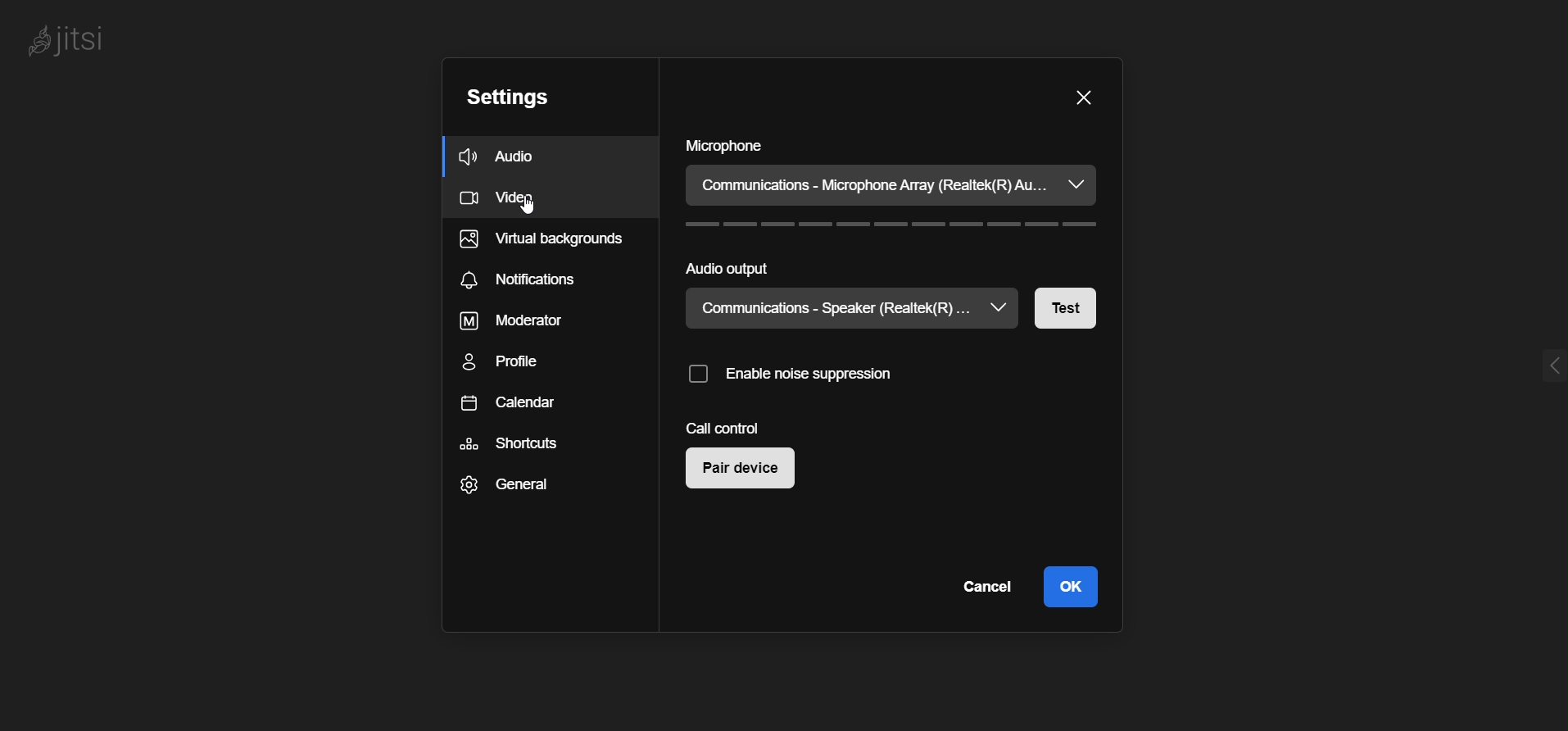 The height and width of the screenshot is (731, 1568). What do you see at coordinates (1547, 363) in the screenshot?
I see `expand` at bounding box center [1547, 363].